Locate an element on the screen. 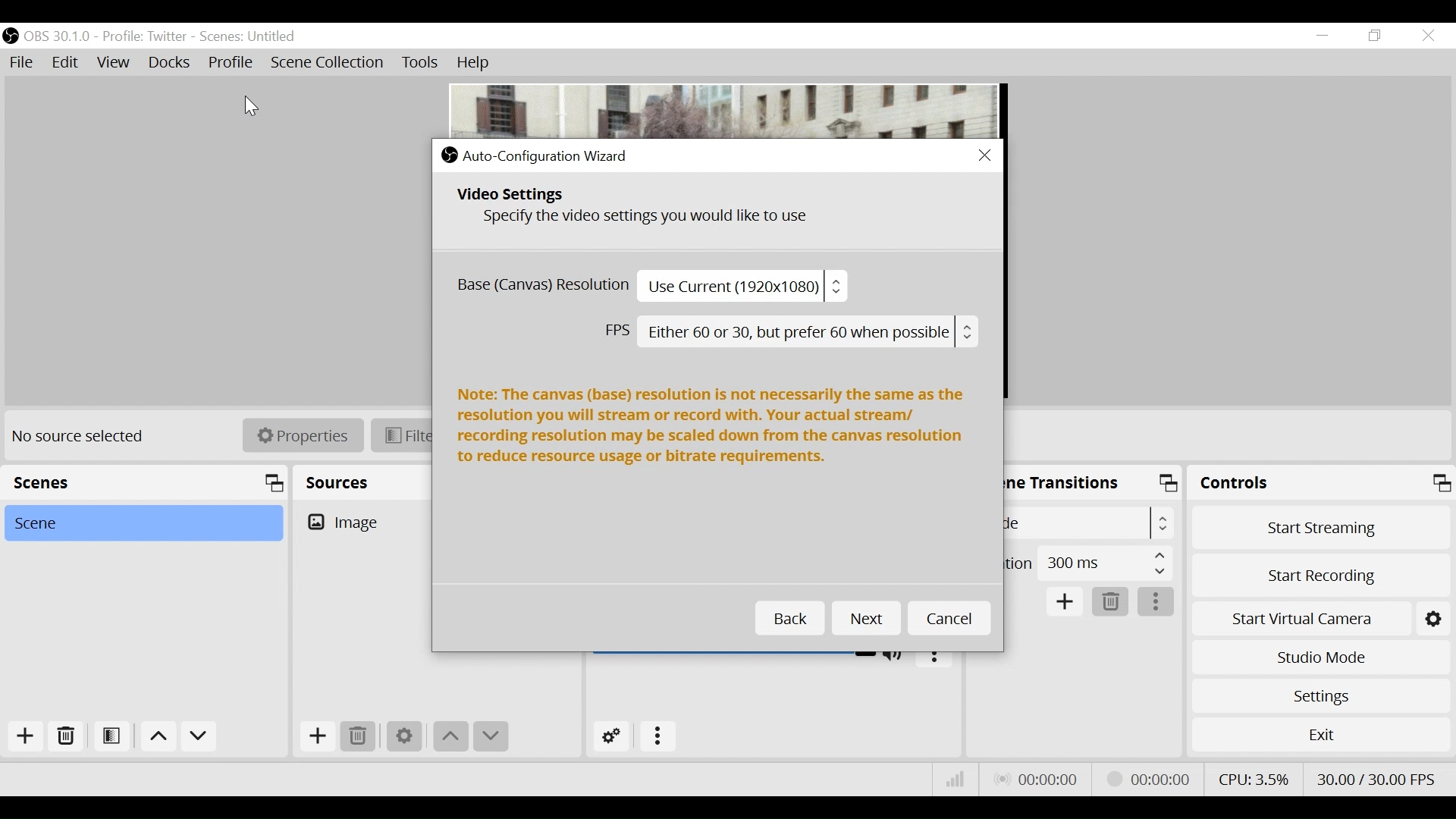 The height and width of the screenshot is (819, 1456). No source selected is located at coordinates (83, 437).